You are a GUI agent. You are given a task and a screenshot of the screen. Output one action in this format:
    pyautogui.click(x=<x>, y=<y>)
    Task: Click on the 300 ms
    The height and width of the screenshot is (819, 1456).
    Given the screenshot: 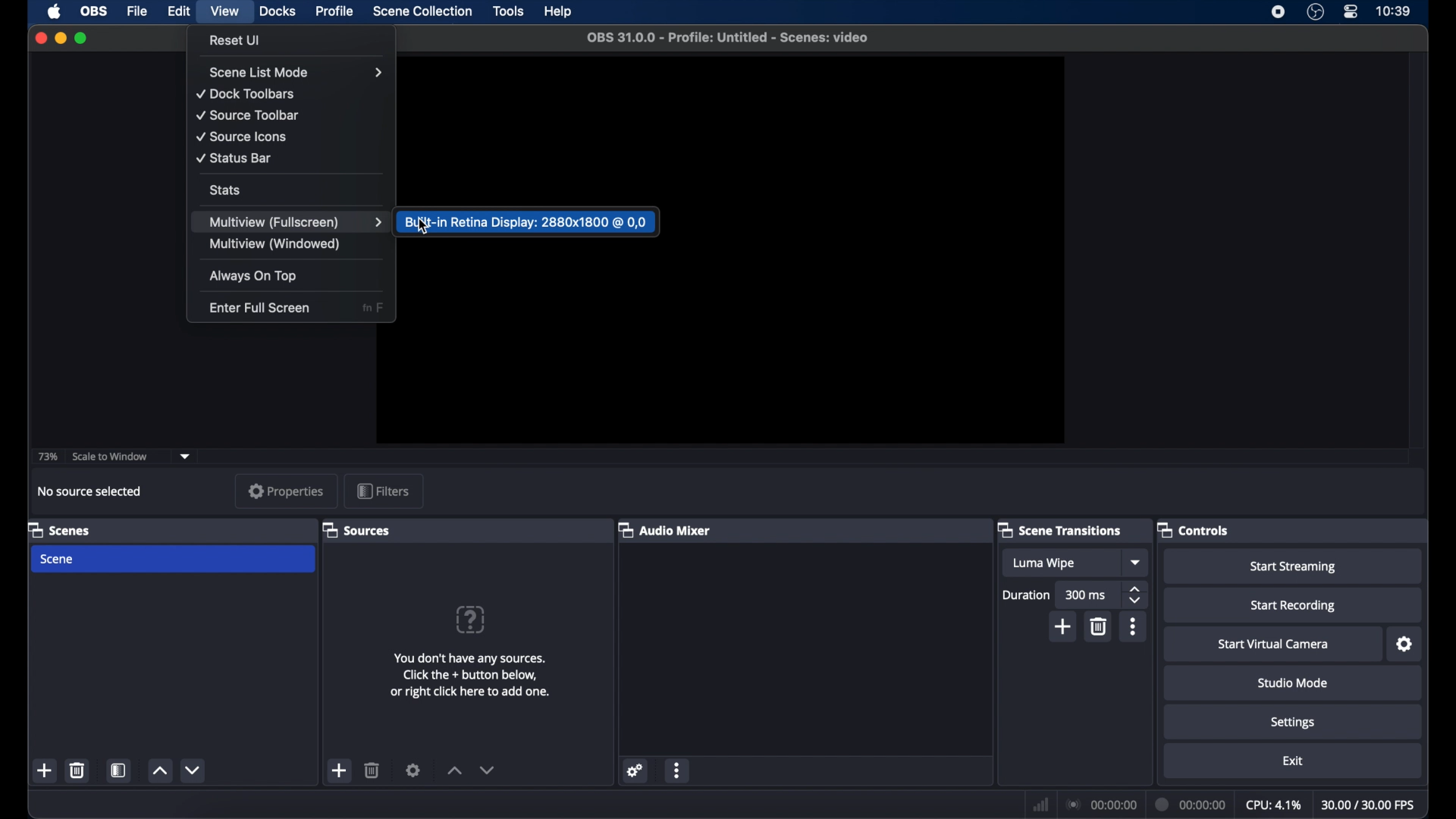 What is the action you would take?
    pyautogui.click(x=1086, y=595)
    